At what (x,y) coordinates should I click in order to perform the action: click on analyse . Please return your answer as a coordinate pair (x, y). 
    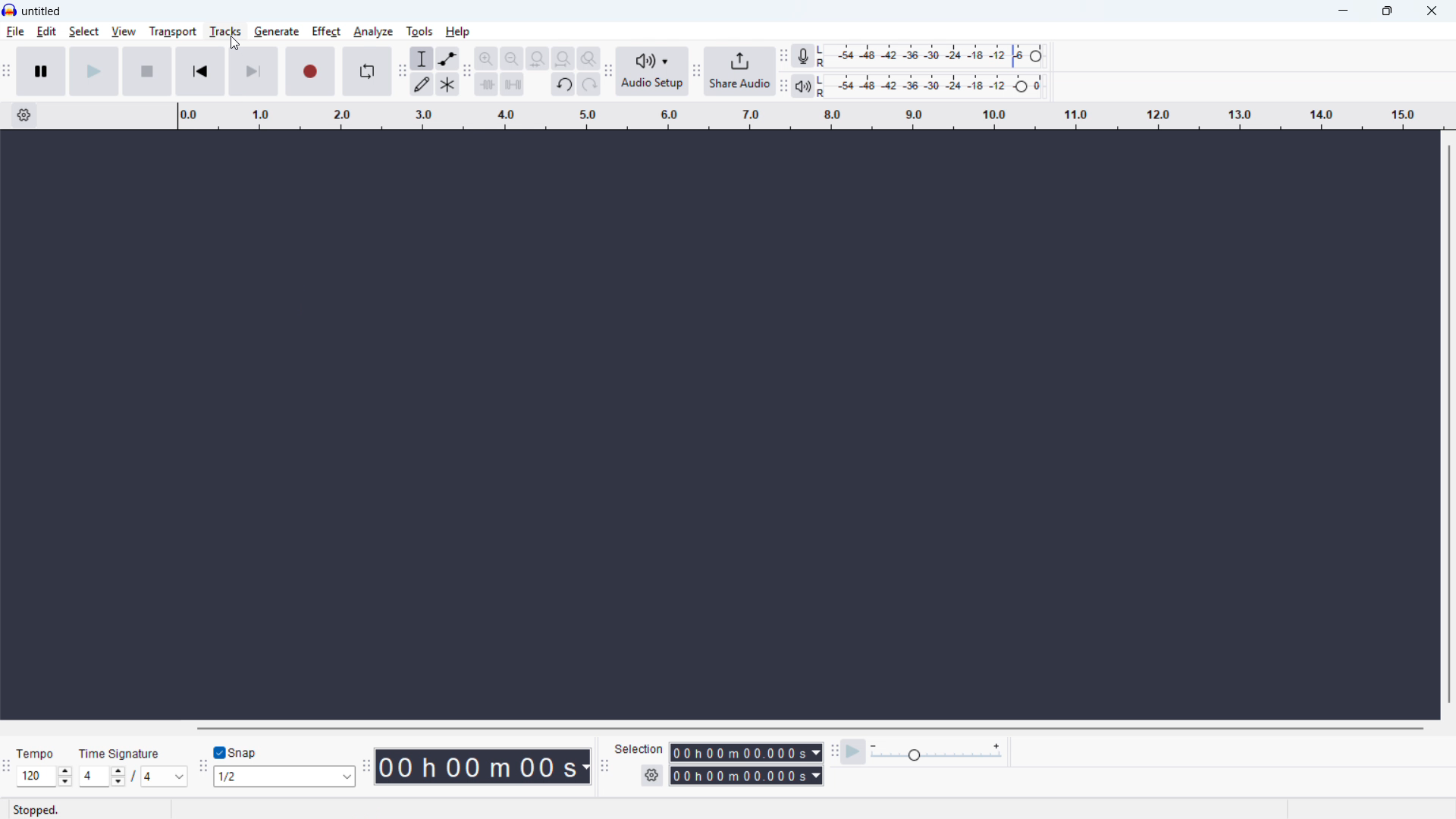
    Looking at the image, I should click on (374, 31).